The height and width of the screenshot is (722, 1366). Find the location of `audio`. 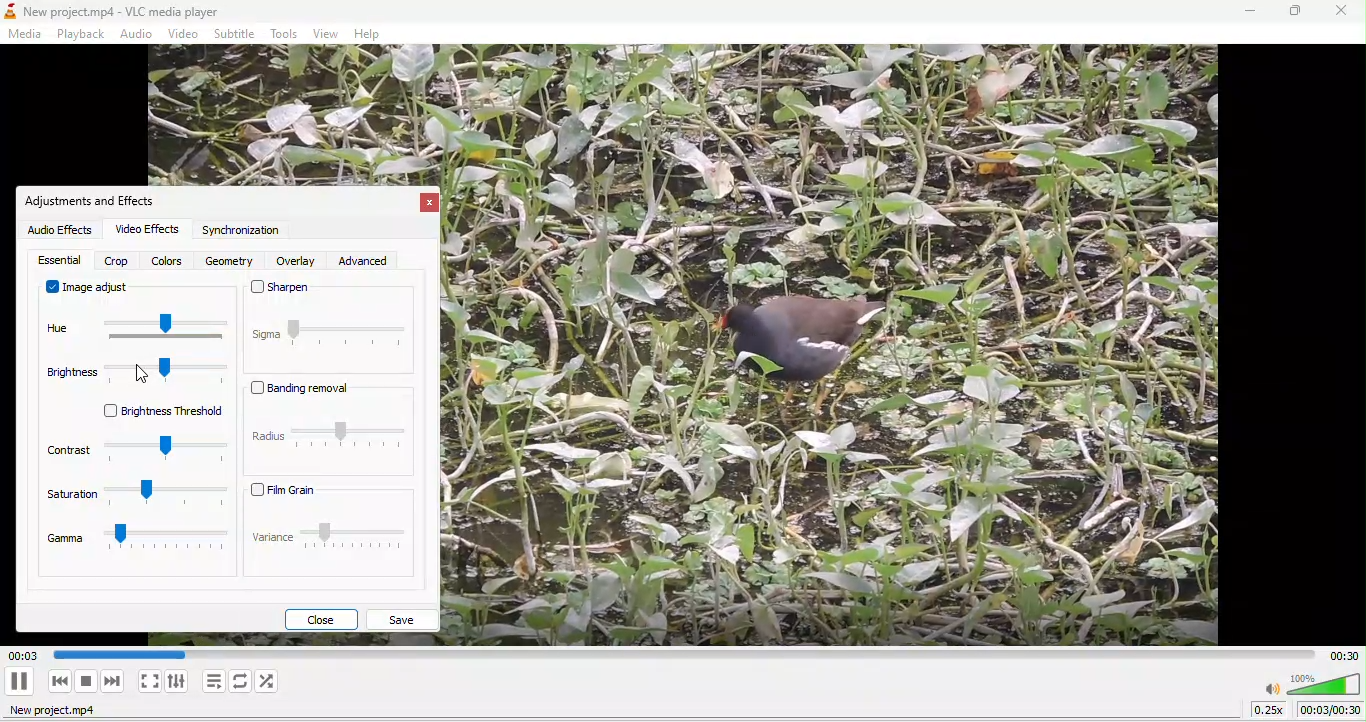

audio is located at coordinates (138, 34).